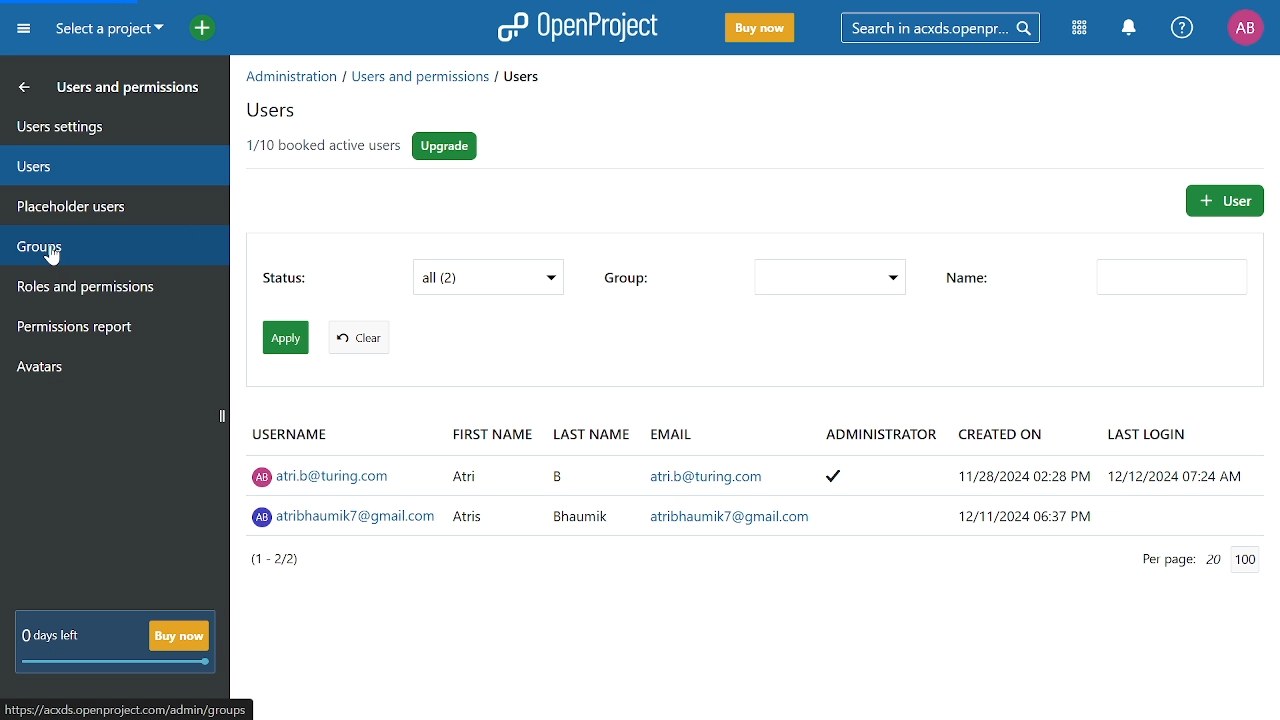  I want to click on Apply, so click(286, 338).